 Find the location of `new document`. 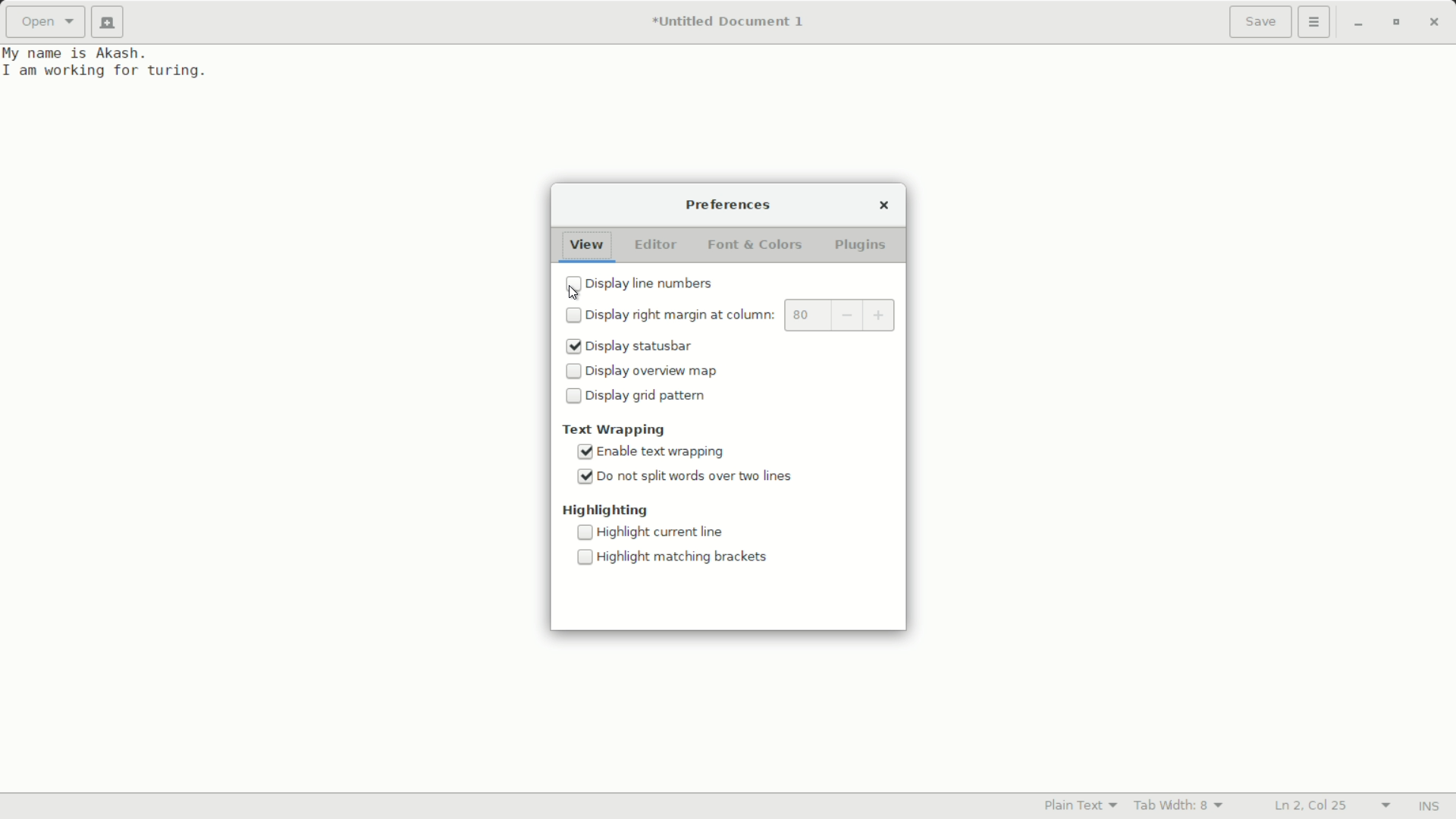

new document is located at coordinates (108, 22).